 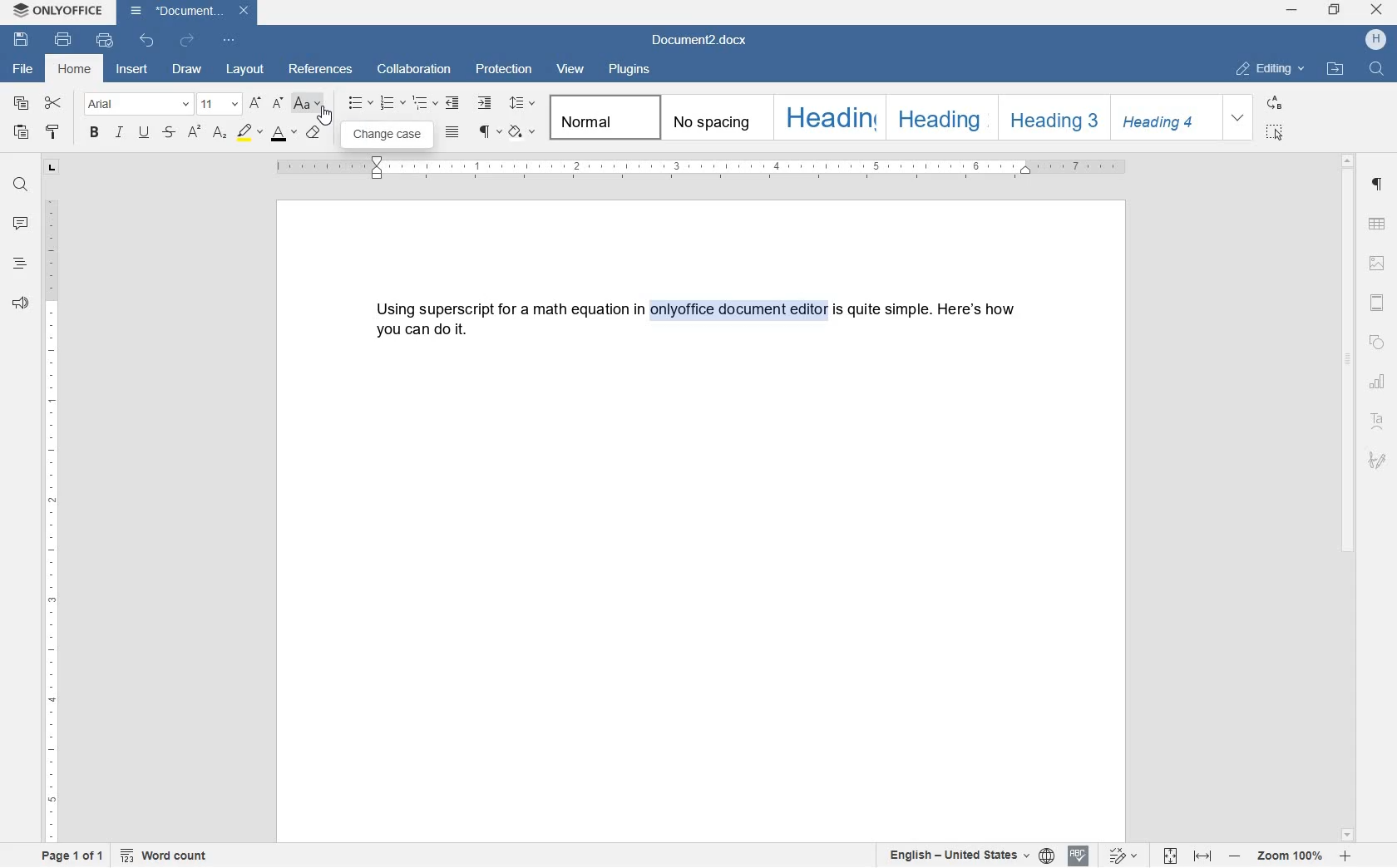 I want to click on normal, so click(x=601, y=118).